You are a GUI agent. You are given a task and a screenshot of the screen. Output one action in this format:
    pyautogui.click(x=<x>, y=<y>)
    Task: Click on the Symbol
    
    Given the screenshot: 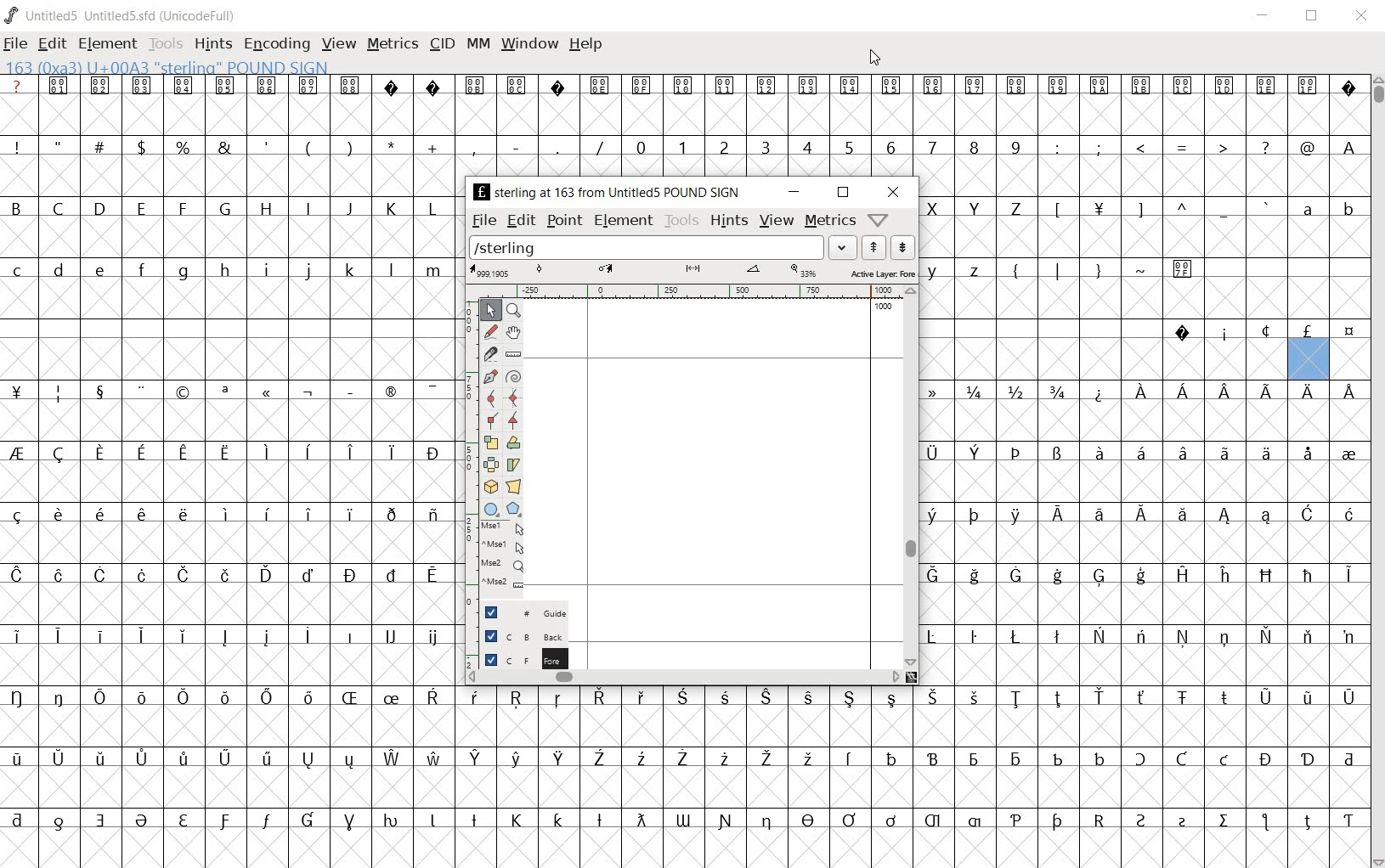 What is the action you would take?
    pyautogui.click(x=267, y=394)
    